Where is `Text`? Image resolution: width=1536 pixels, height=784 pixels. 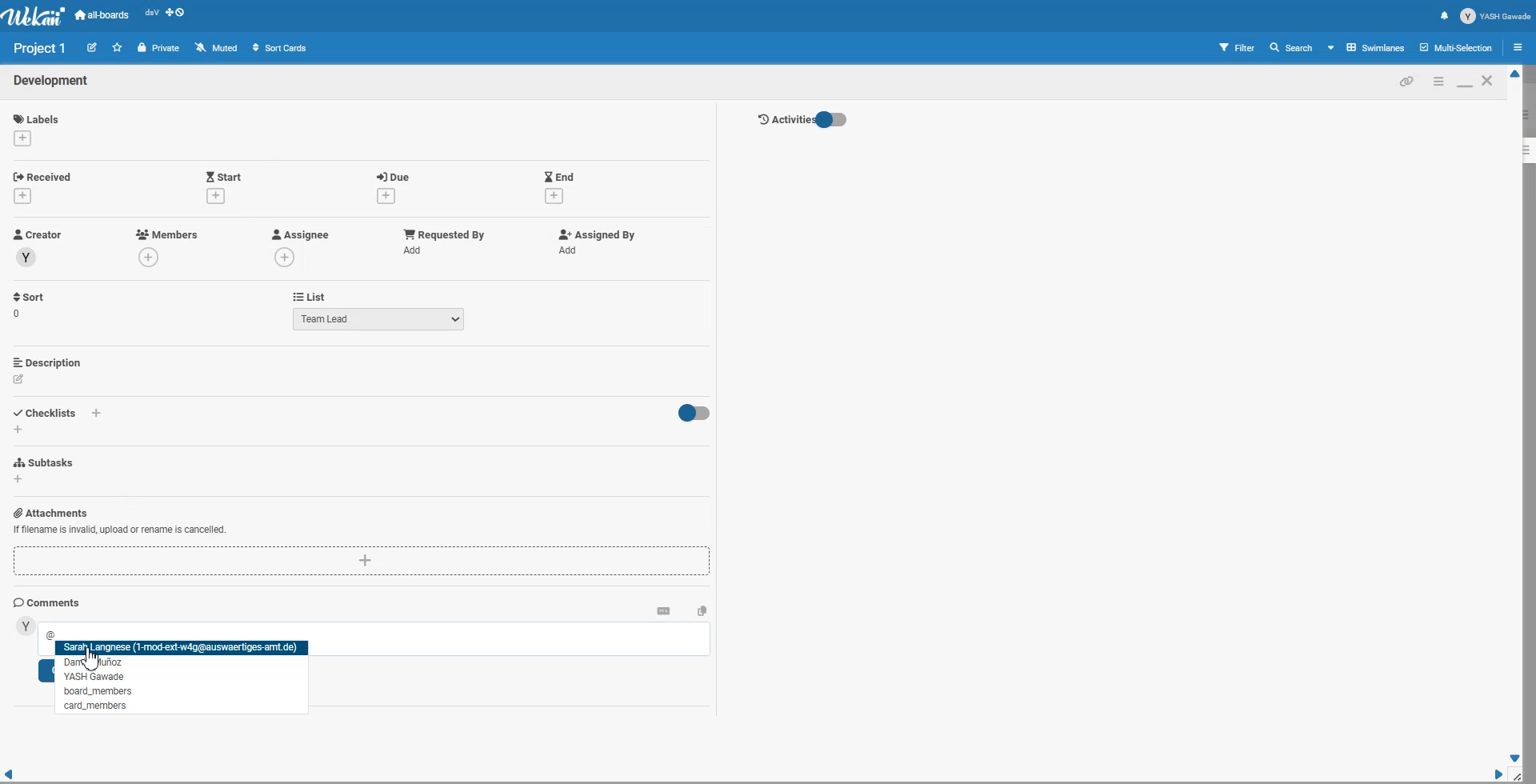
Text is located at coordinates (41, 48).